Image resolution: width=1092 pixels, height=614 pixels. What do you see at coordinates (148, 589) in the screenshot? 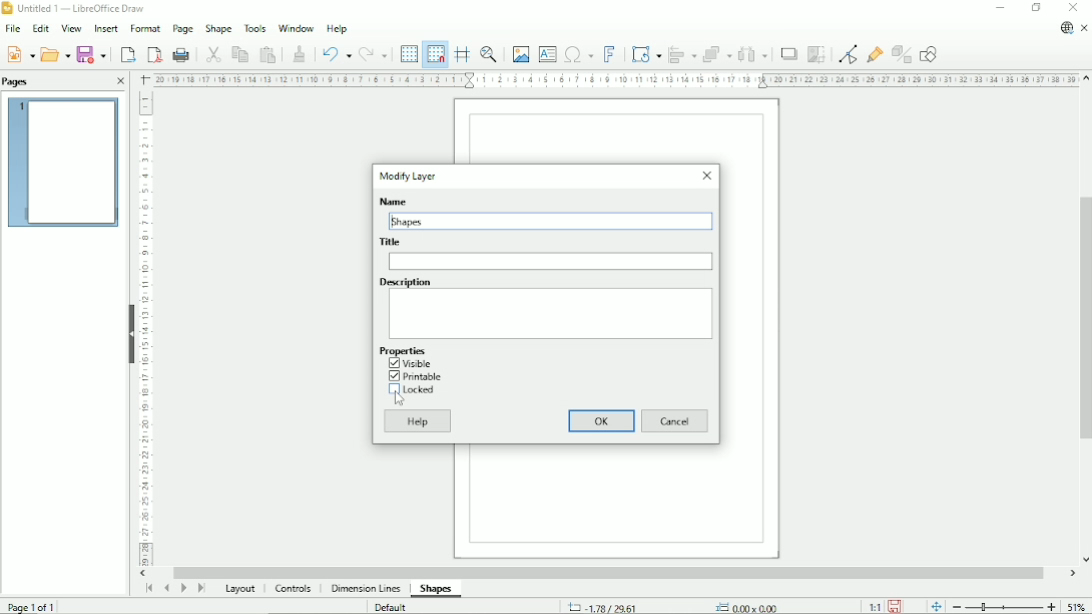
I see `Scroll to first page` at bounding box center [148, 589].